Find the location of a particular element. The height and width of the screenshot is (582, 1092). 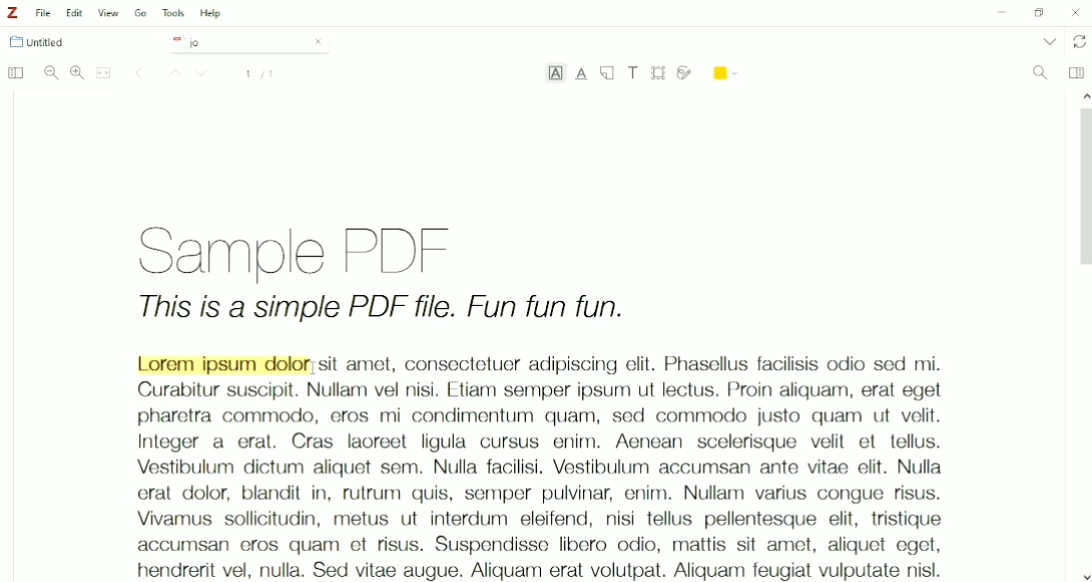

Minimize is located at coordinates (999, 14).